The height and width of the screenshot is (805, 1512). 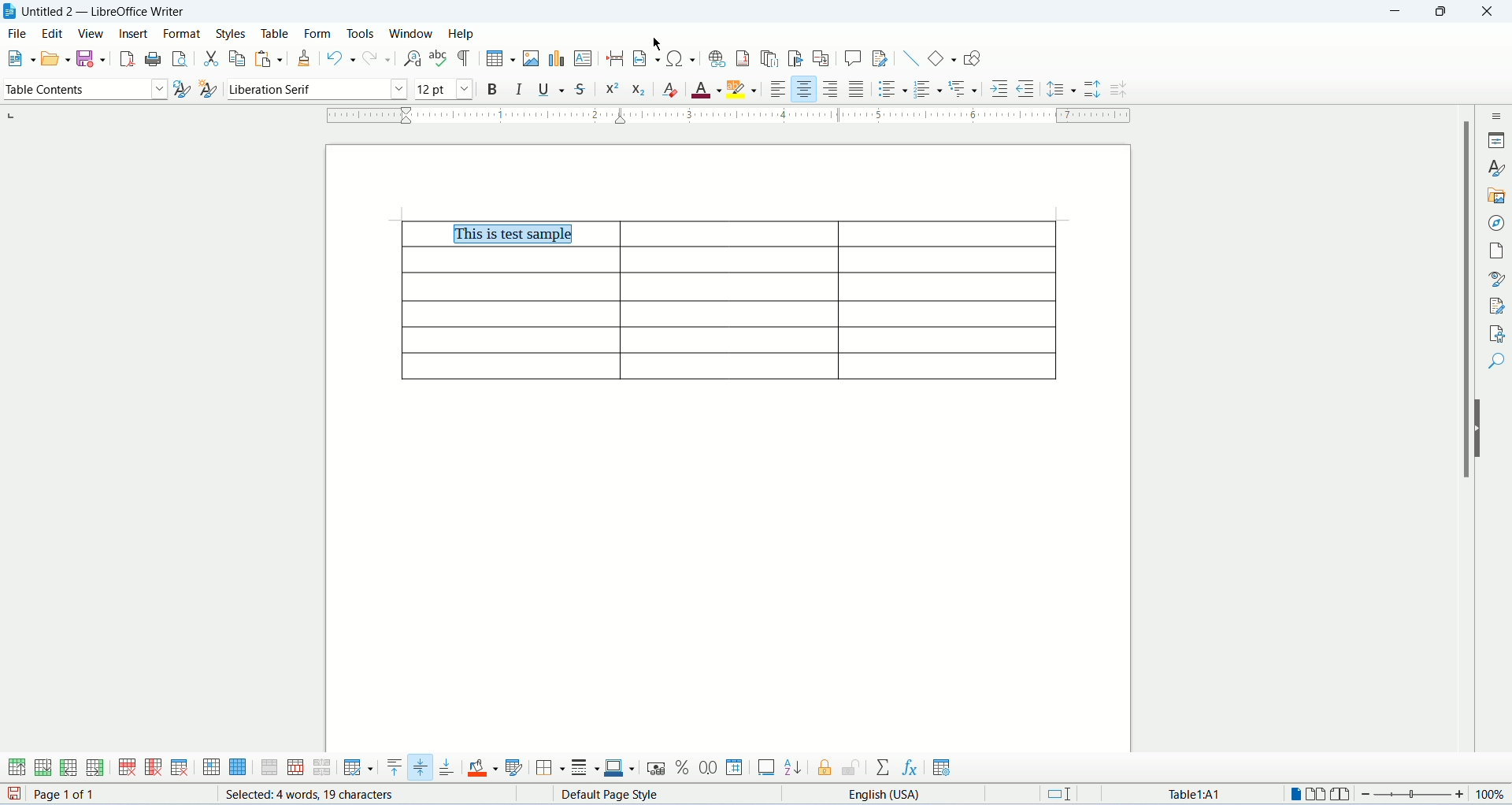 I want to click on undo, so click(x=342, y=57).